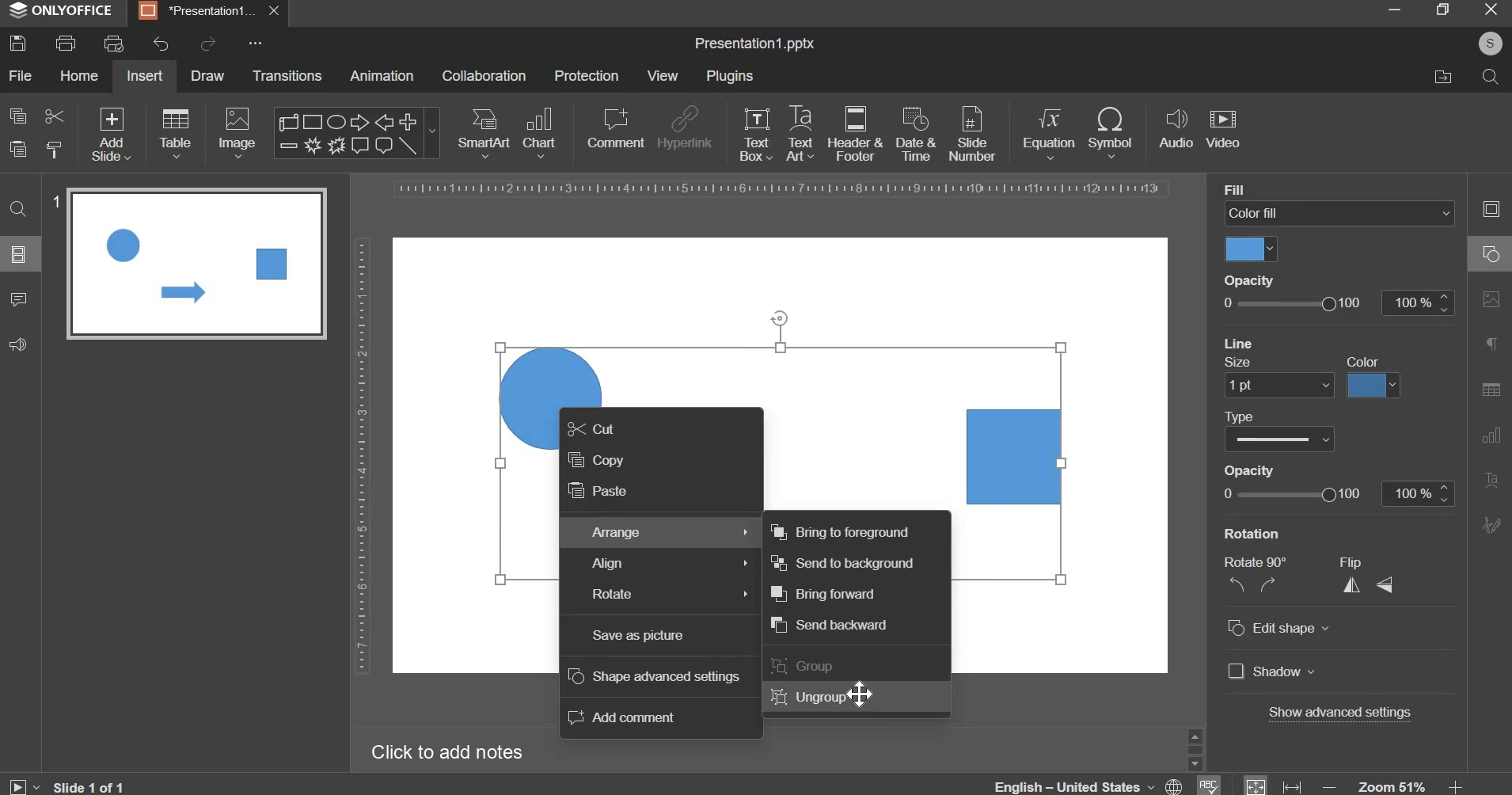  What do you see at coordinates (239, 132) in the screenshot?
I see `image` at bounding box center [239, 132].